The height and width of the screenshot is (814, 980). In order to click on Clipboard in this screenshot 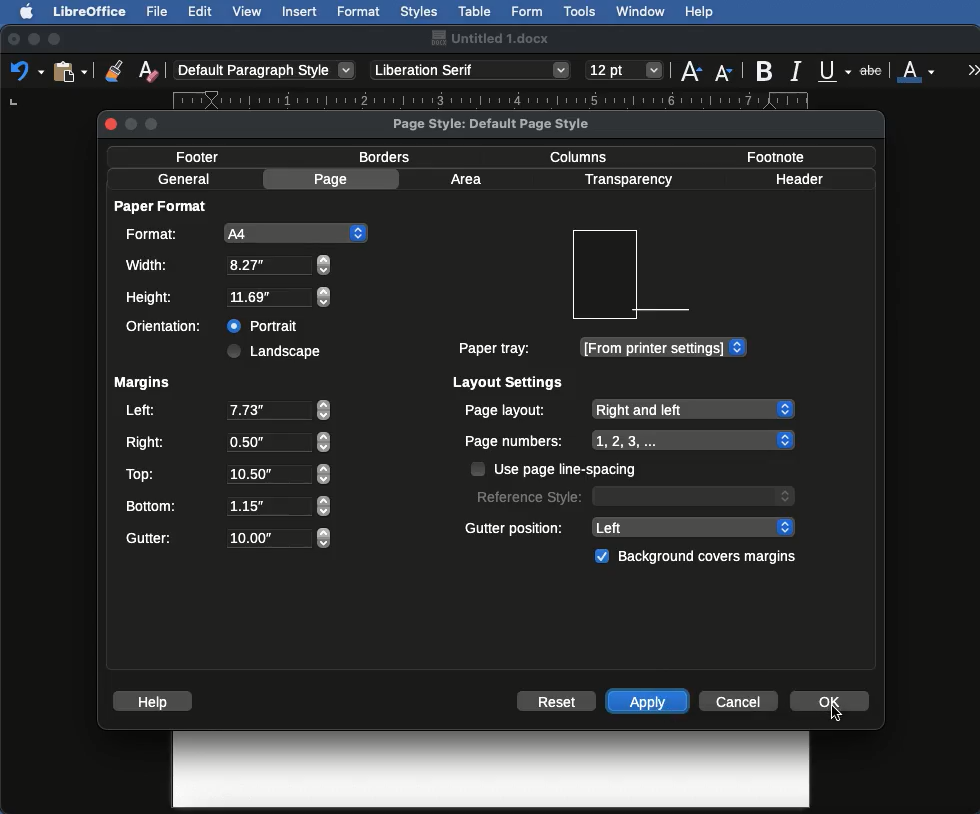, I will do `click(70, 70)`.